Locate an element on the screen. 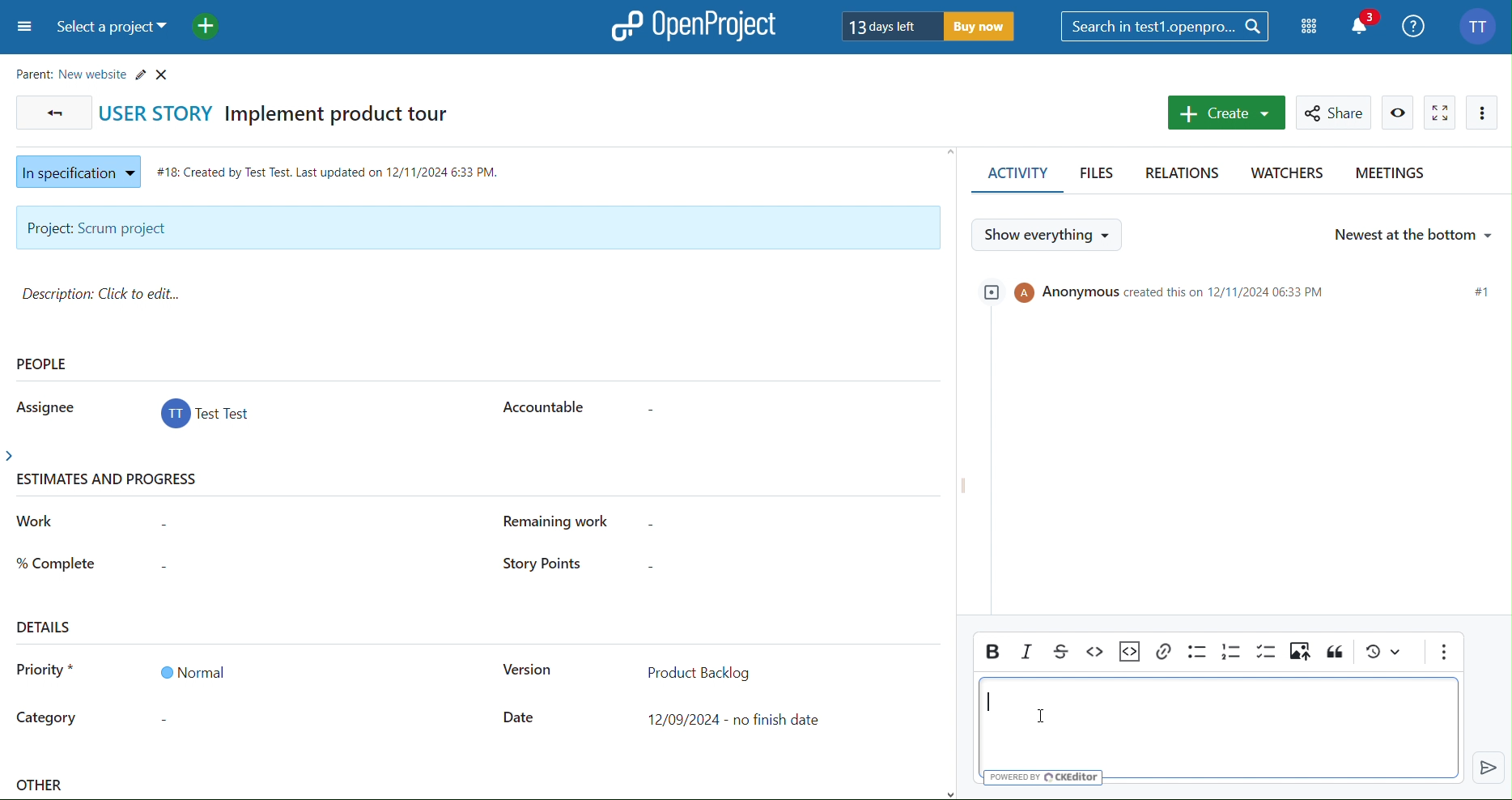 This screenshot has height=800, width=1512. Other is located at coordinates (42, 787).